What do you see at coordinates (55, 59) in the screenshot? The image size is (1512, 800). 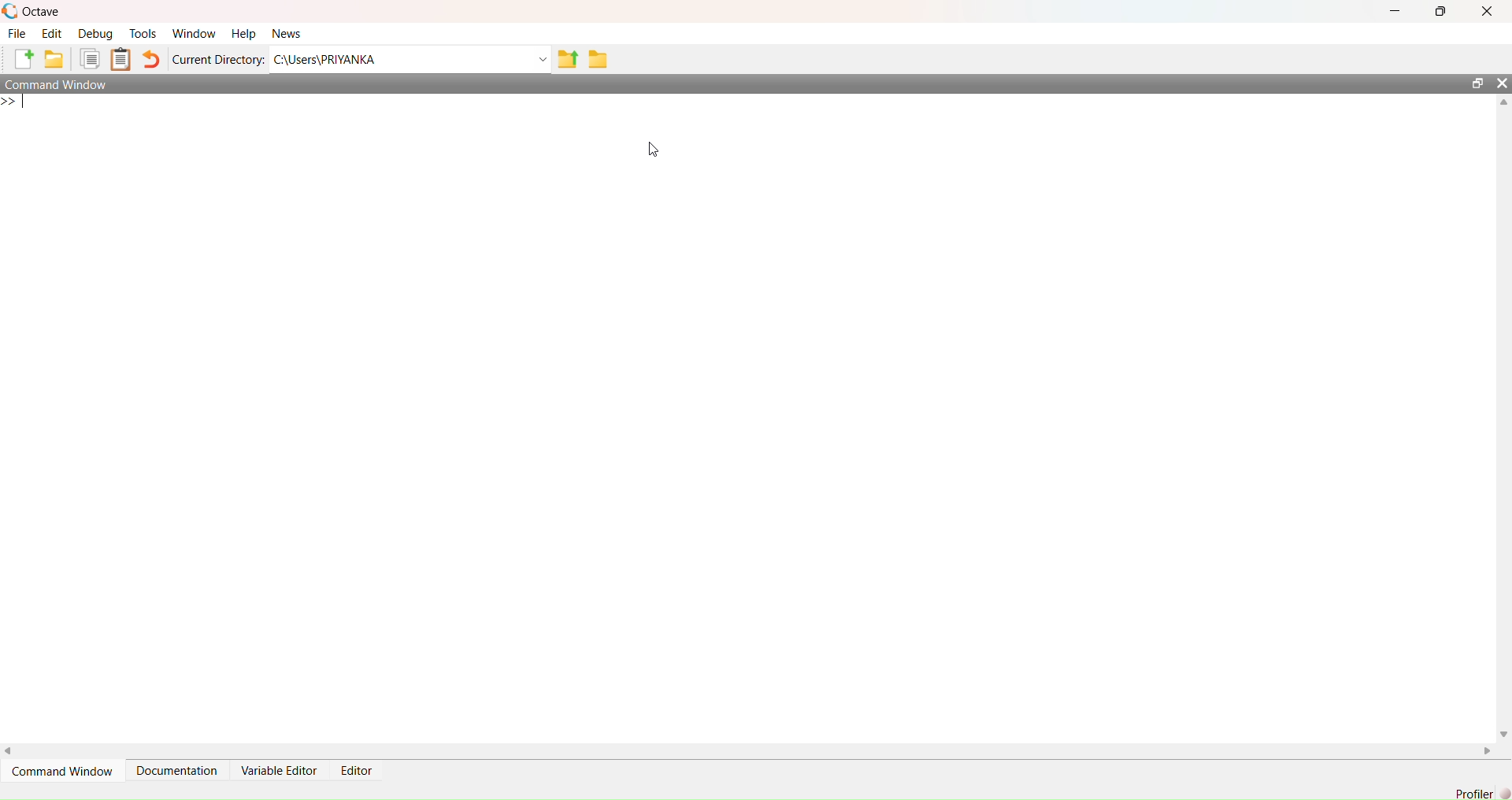 I see `Open an existing file in editor` at bounding box center [55, 59].